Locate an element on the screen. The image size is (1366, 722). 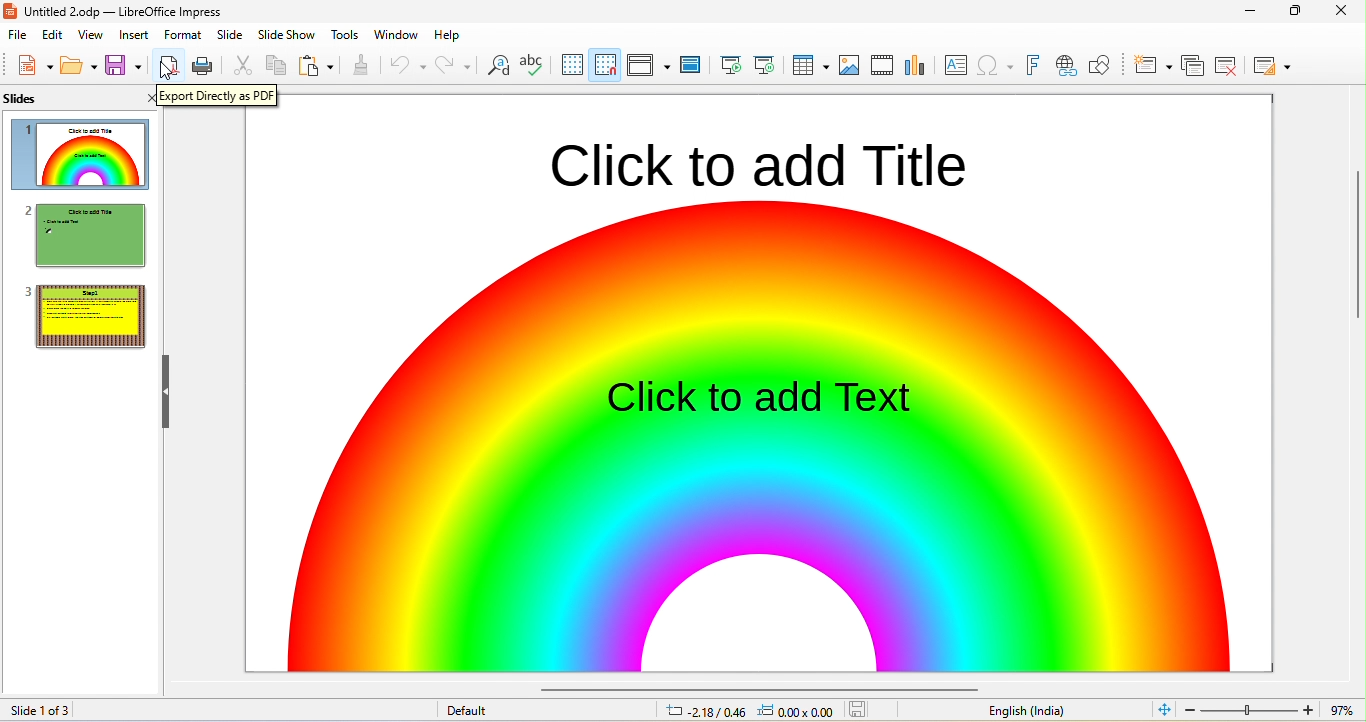
slide is located at coordinates (45, 100).